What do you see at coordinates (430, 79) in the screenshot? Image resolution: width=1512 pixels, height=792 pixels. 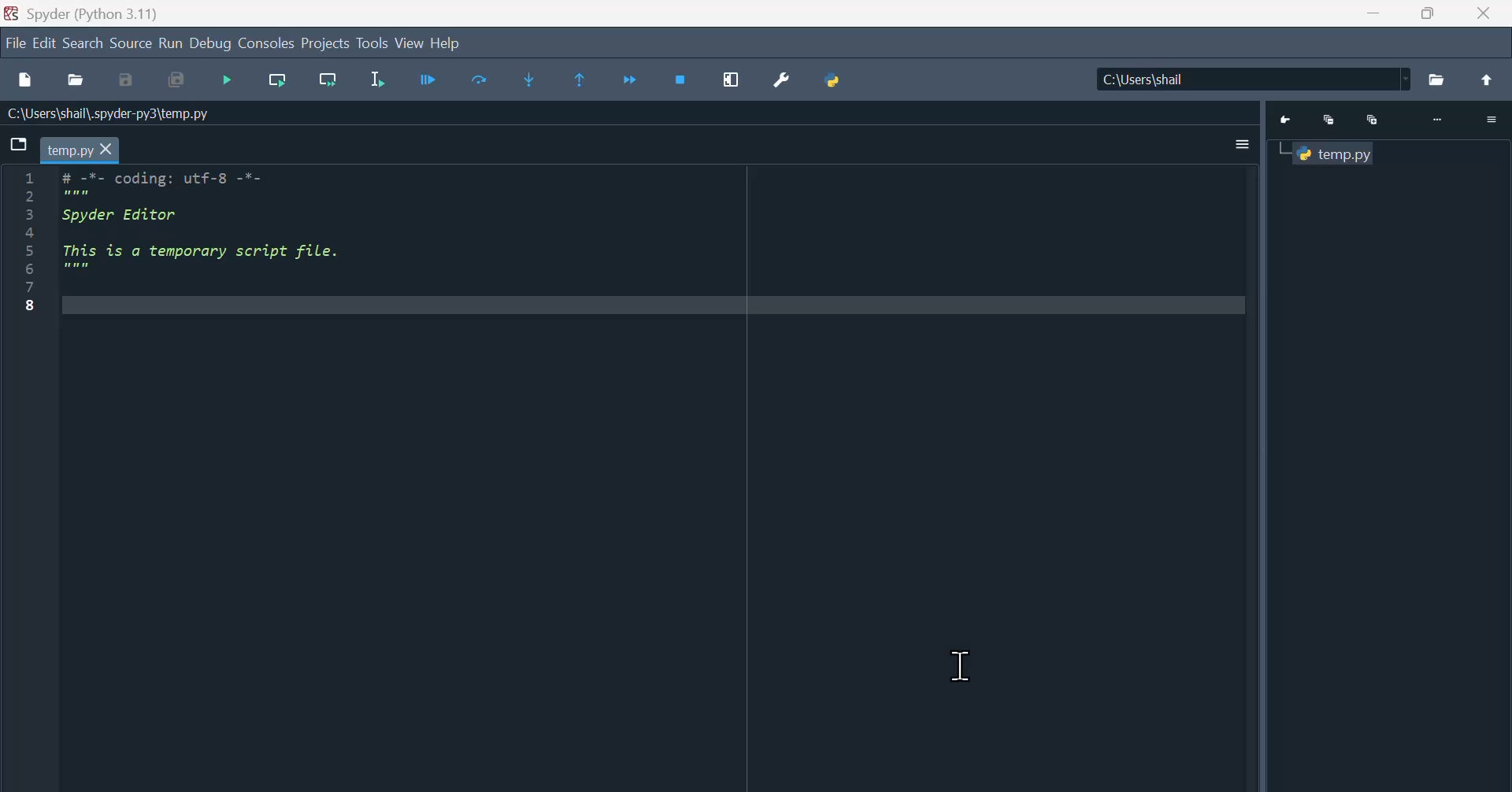 I see `Run` at bounding box center [430, 79].